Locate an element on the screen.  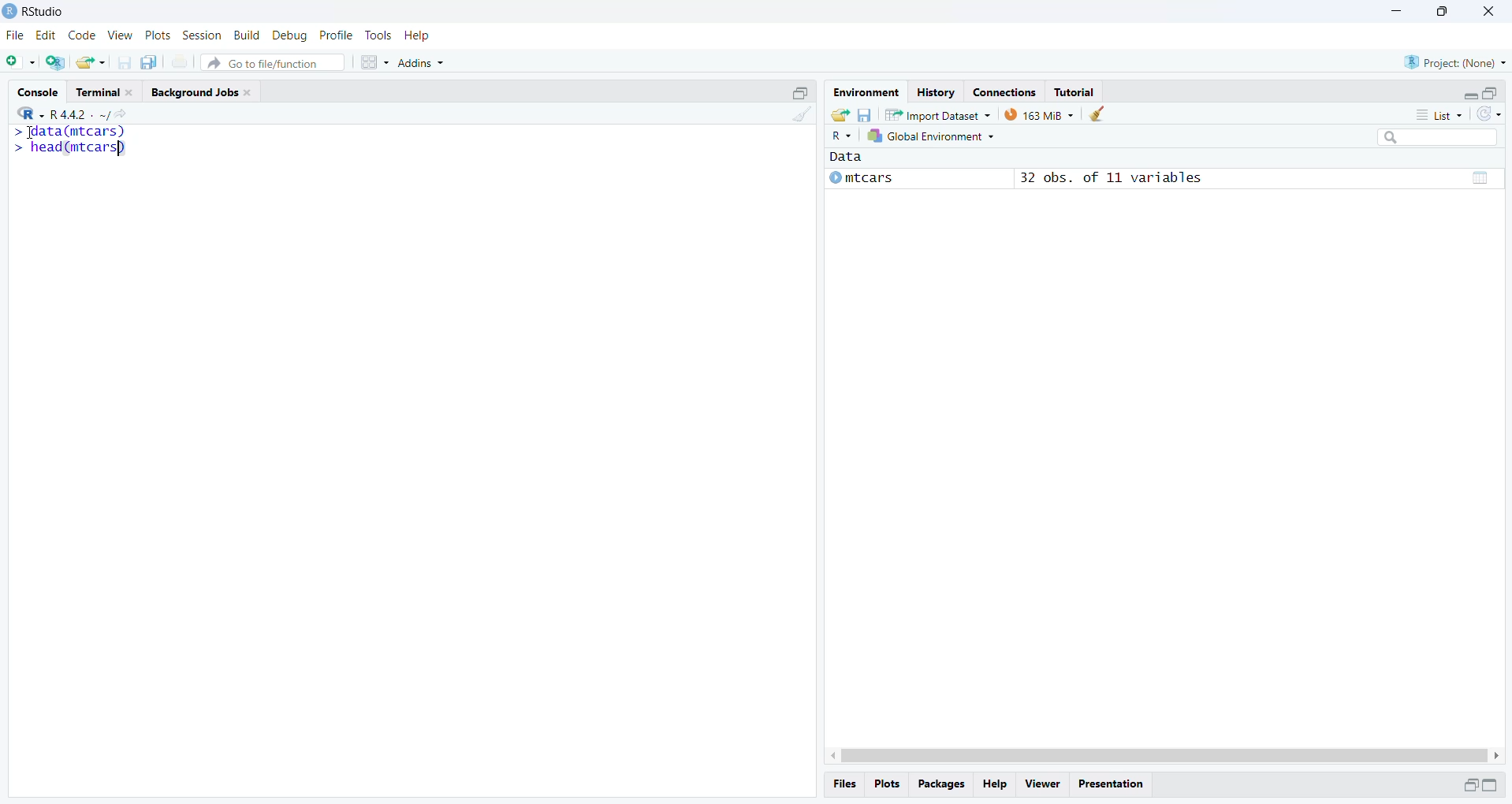
save is located at coordinates (124, 62).